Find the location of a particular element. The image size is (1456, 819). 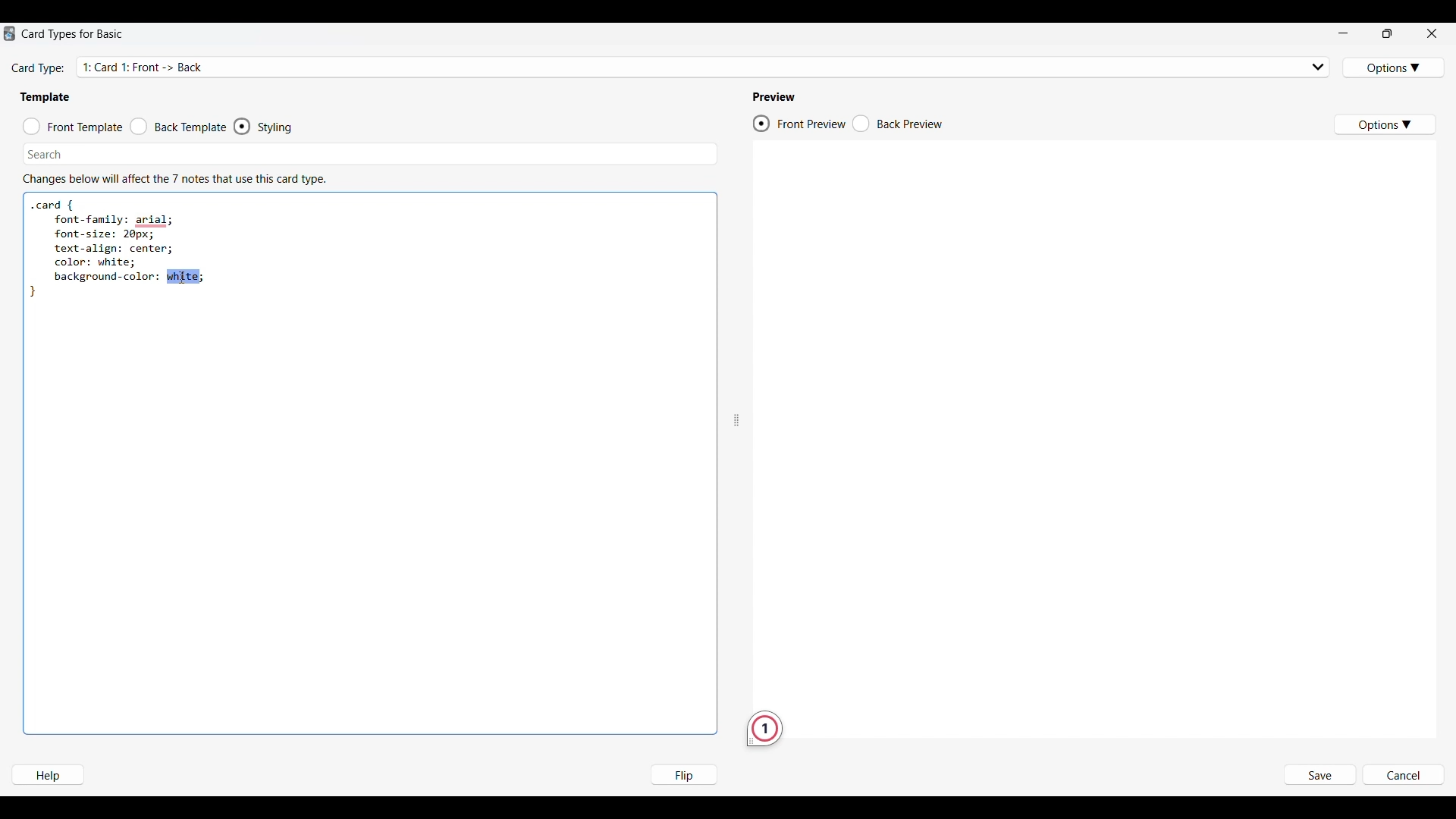

Grammarly extension is located at coordinates (764, 729).